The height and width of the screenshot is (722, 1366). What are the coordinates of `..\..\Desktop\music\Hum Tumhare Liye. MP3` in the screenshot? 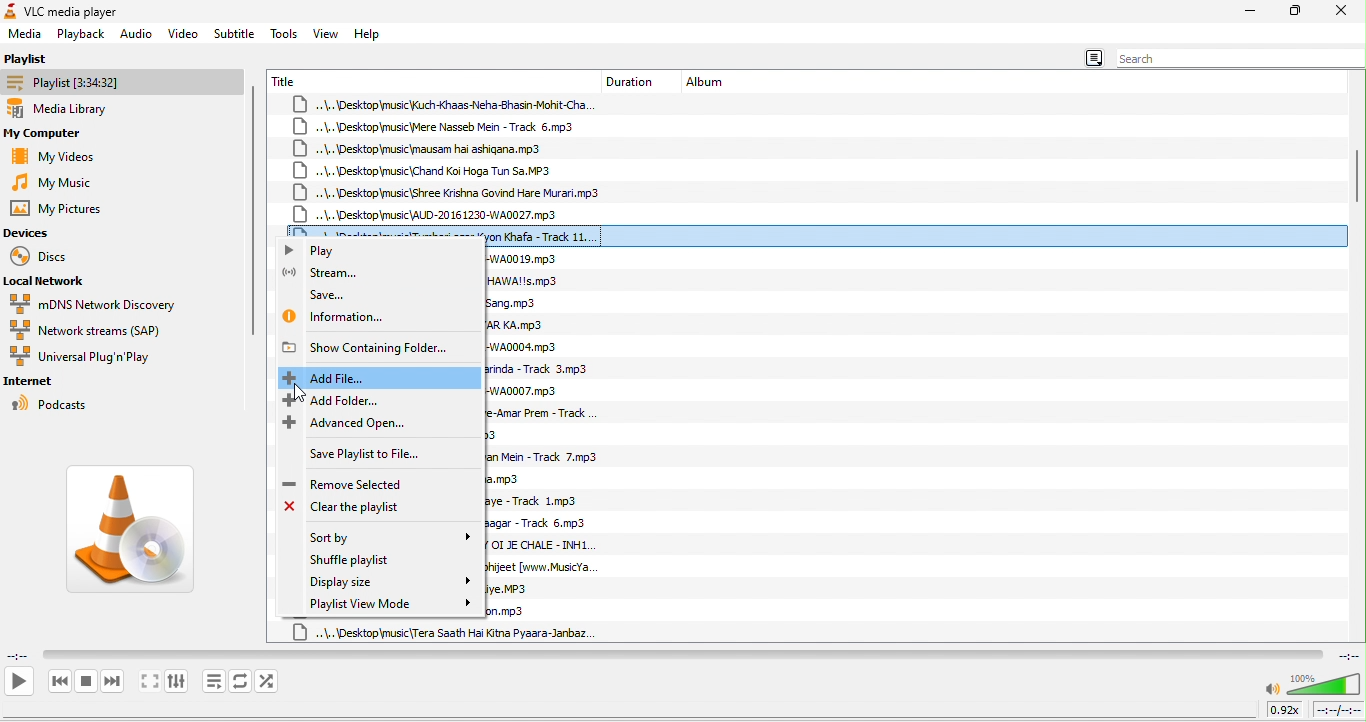 It's located at (513, 589).